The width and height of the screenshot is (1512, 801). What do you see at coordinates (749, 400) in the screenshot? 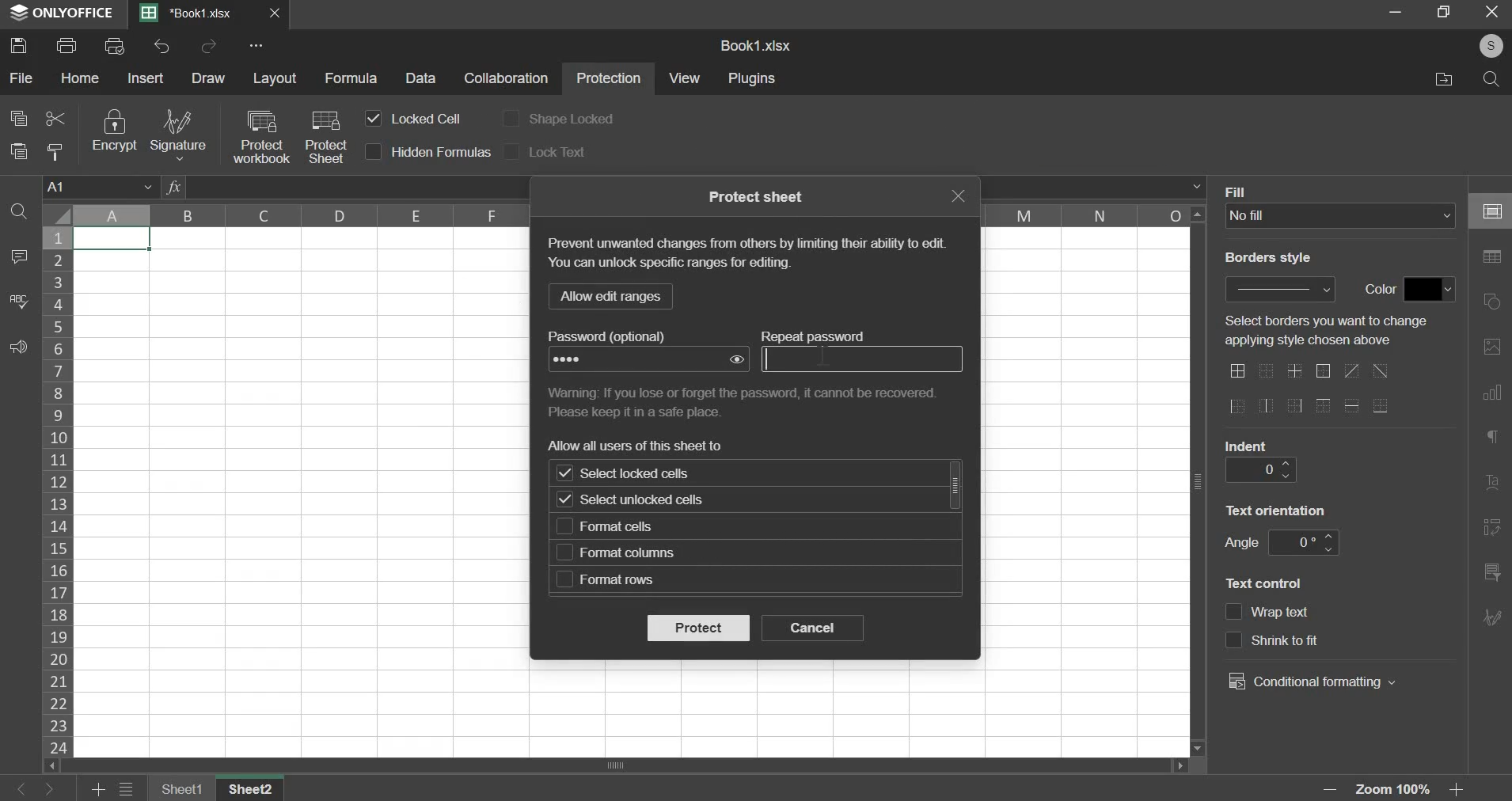
I see `text` at bounding box center [749, 400].